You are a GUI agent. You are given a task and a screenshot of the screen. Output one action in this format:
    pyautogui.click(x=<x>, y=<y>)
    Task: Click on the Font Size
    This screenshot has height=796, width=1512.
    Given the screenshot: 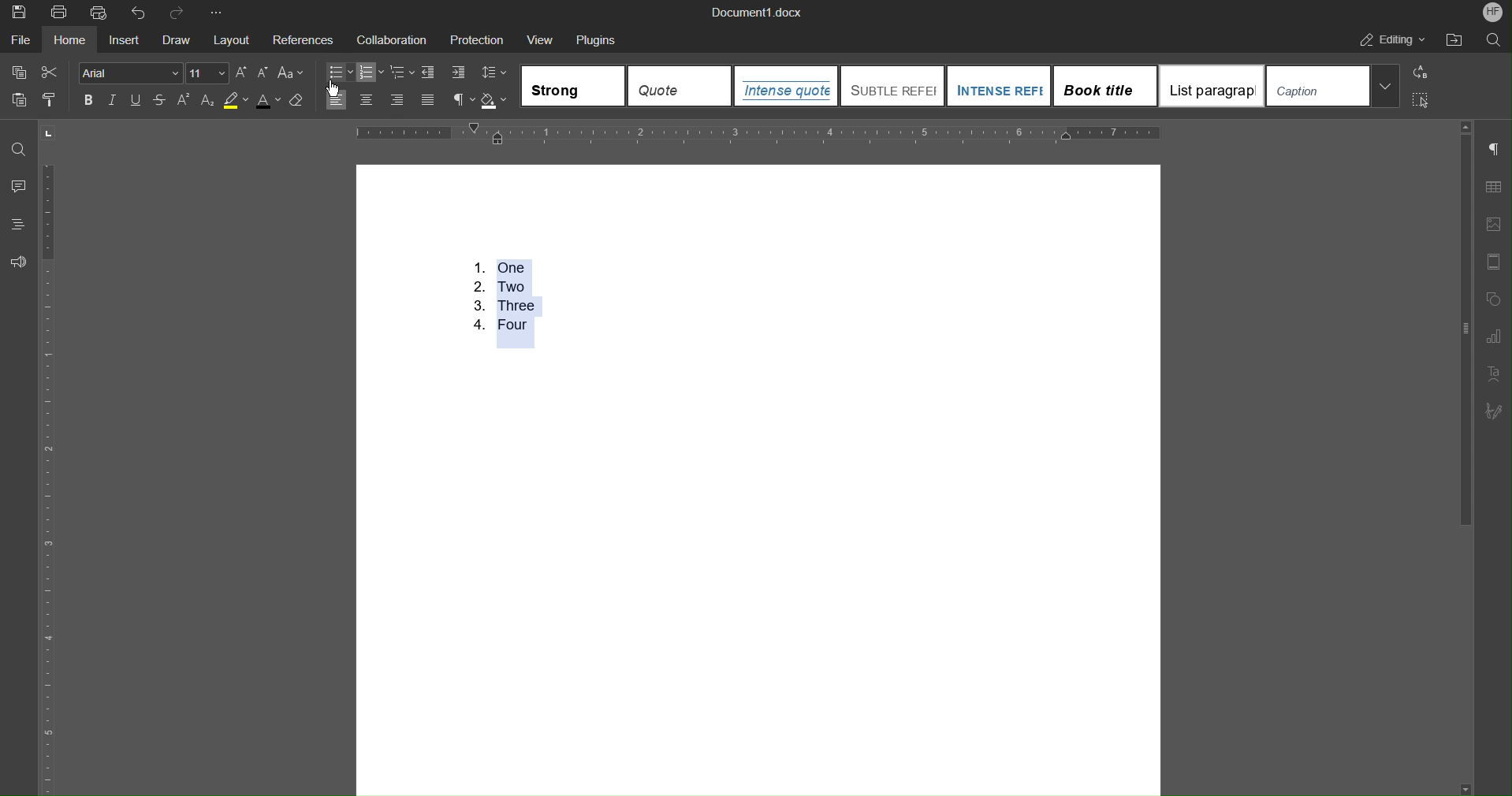 What is the action you would take?
    pyautogui.click(x=208, y=73)
    